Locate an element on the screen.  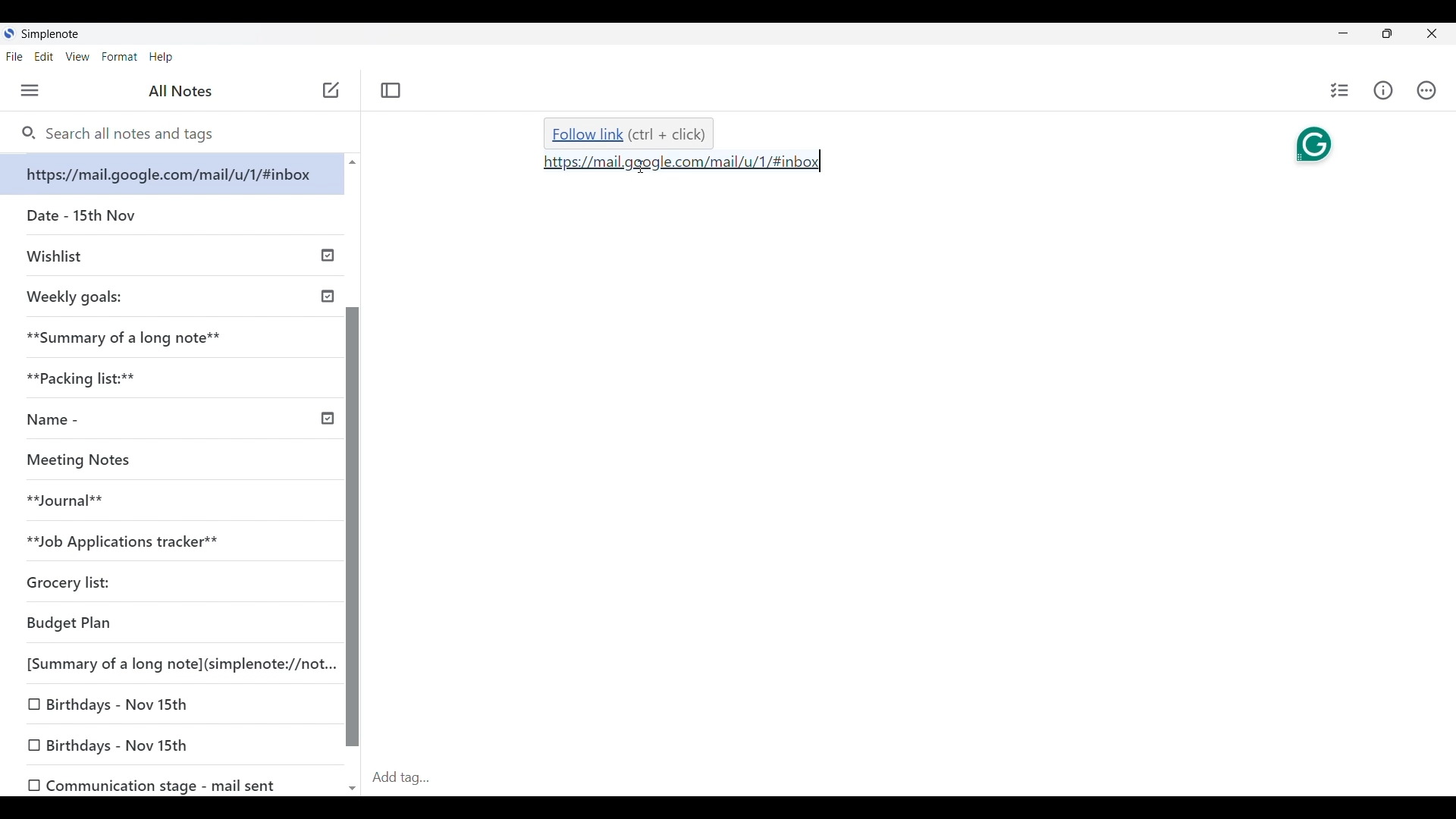
Grammarly extension activated is located at coordinates (1300, 143).